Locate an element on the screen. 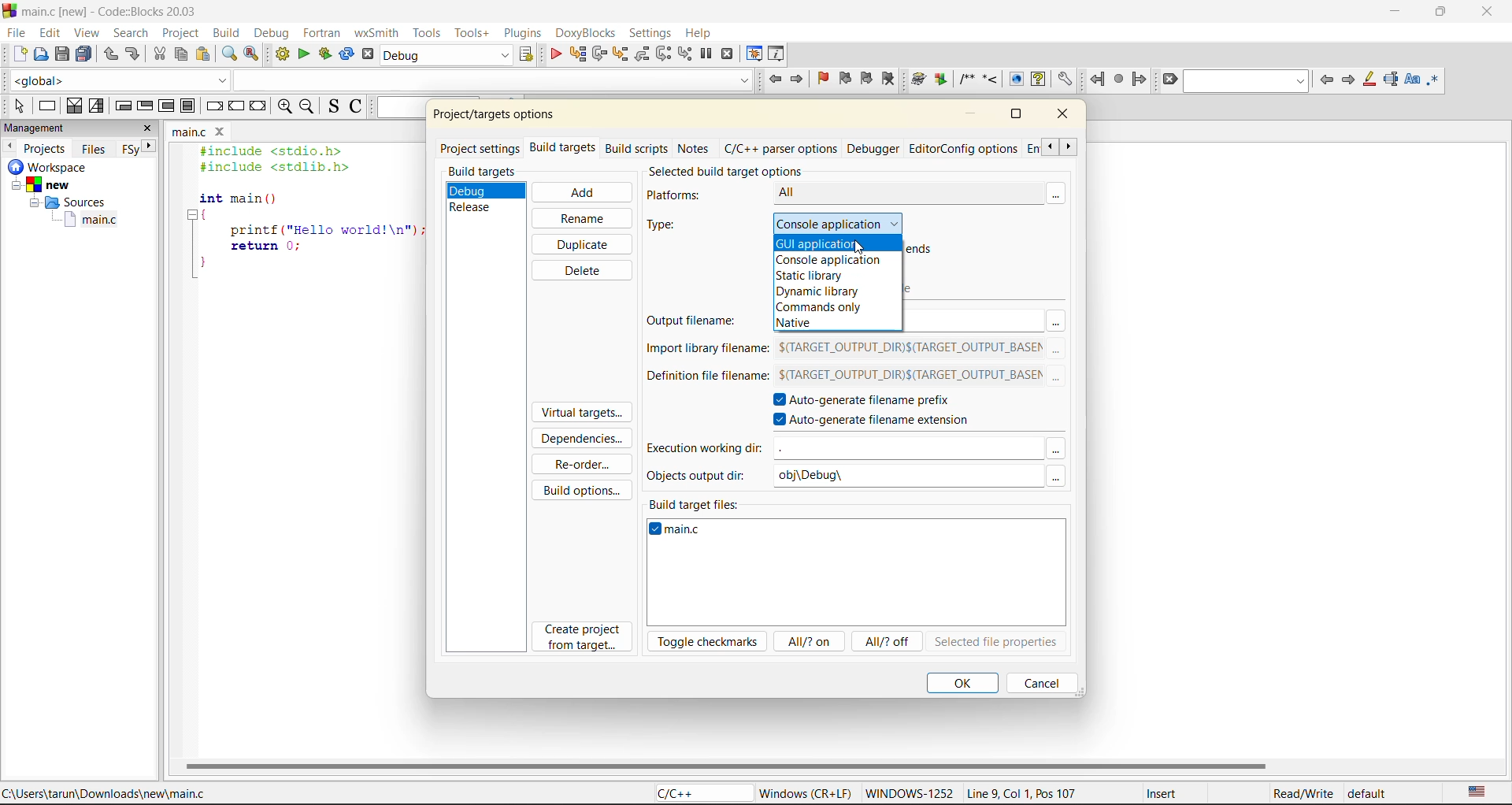 This screenshot has width=1512, height=805. selected build target options is located at coordinates (729, 170).